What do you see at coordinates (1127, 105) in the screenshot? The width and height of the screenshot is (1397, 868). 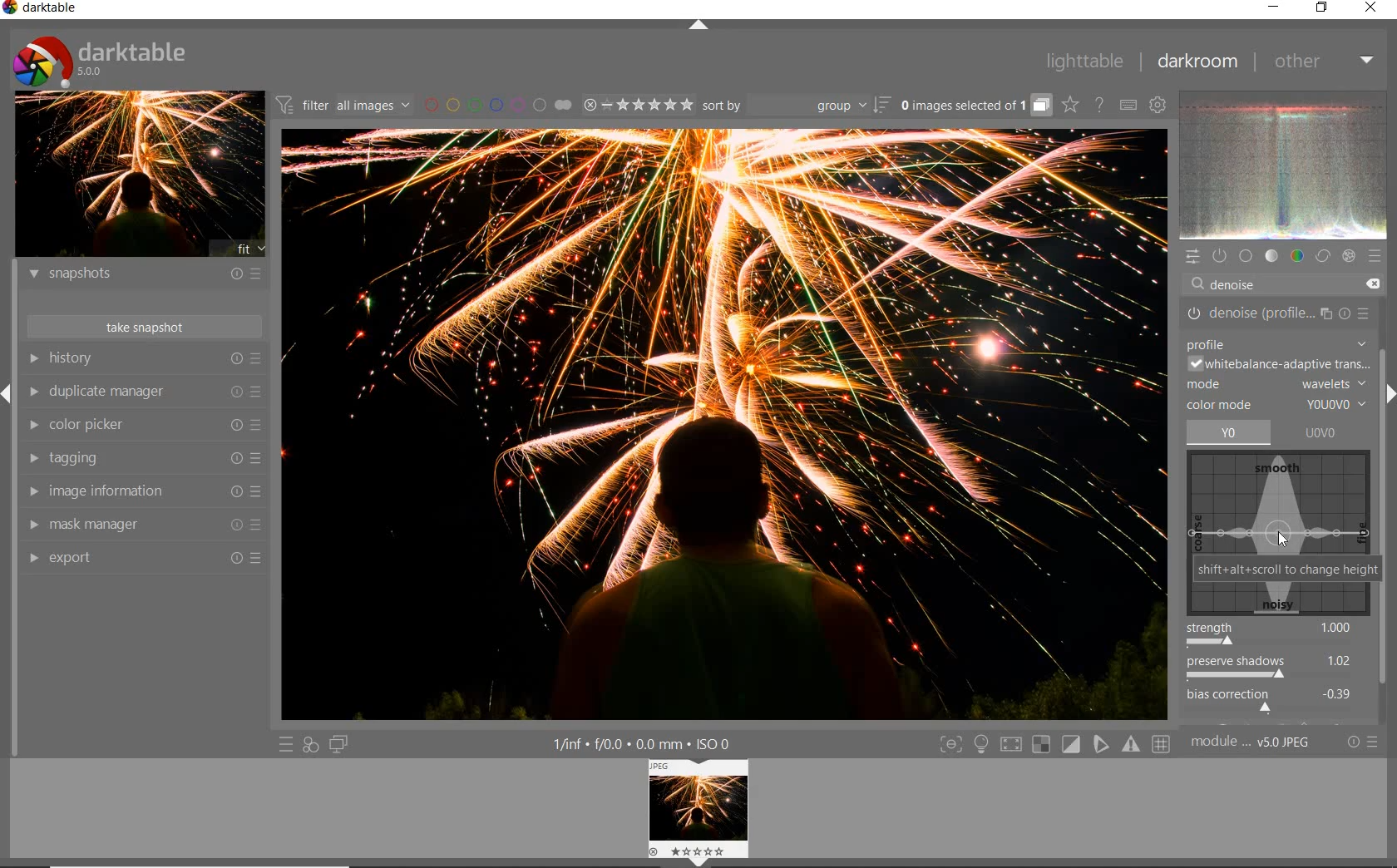 I see `set keyboard shortcuts` at bounding box center [1127, 105].